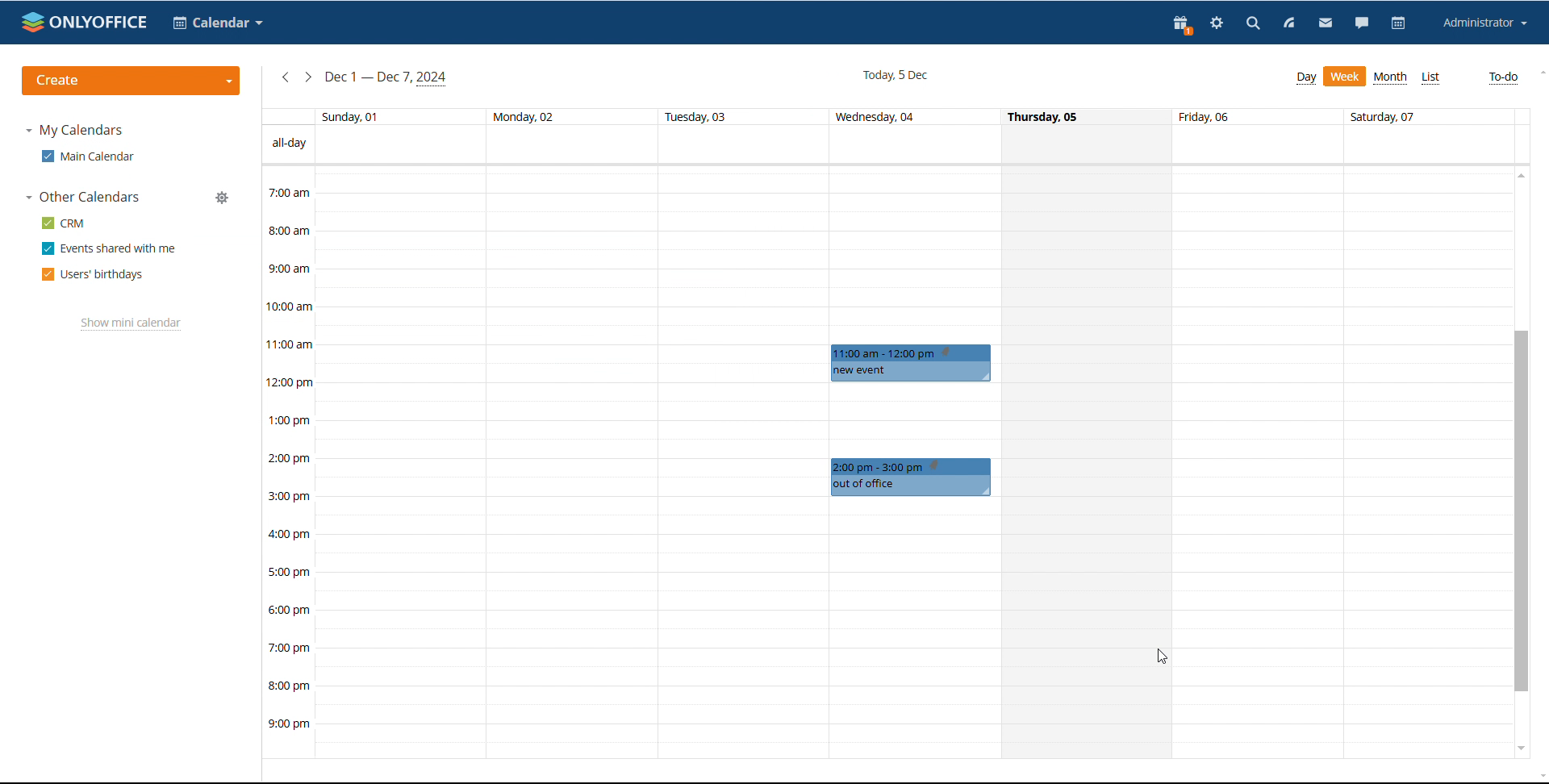 The image size is (1549, 784). Describe the element at coordinates (1346, 317) in the screenshot. I see `30 min span` at that location.